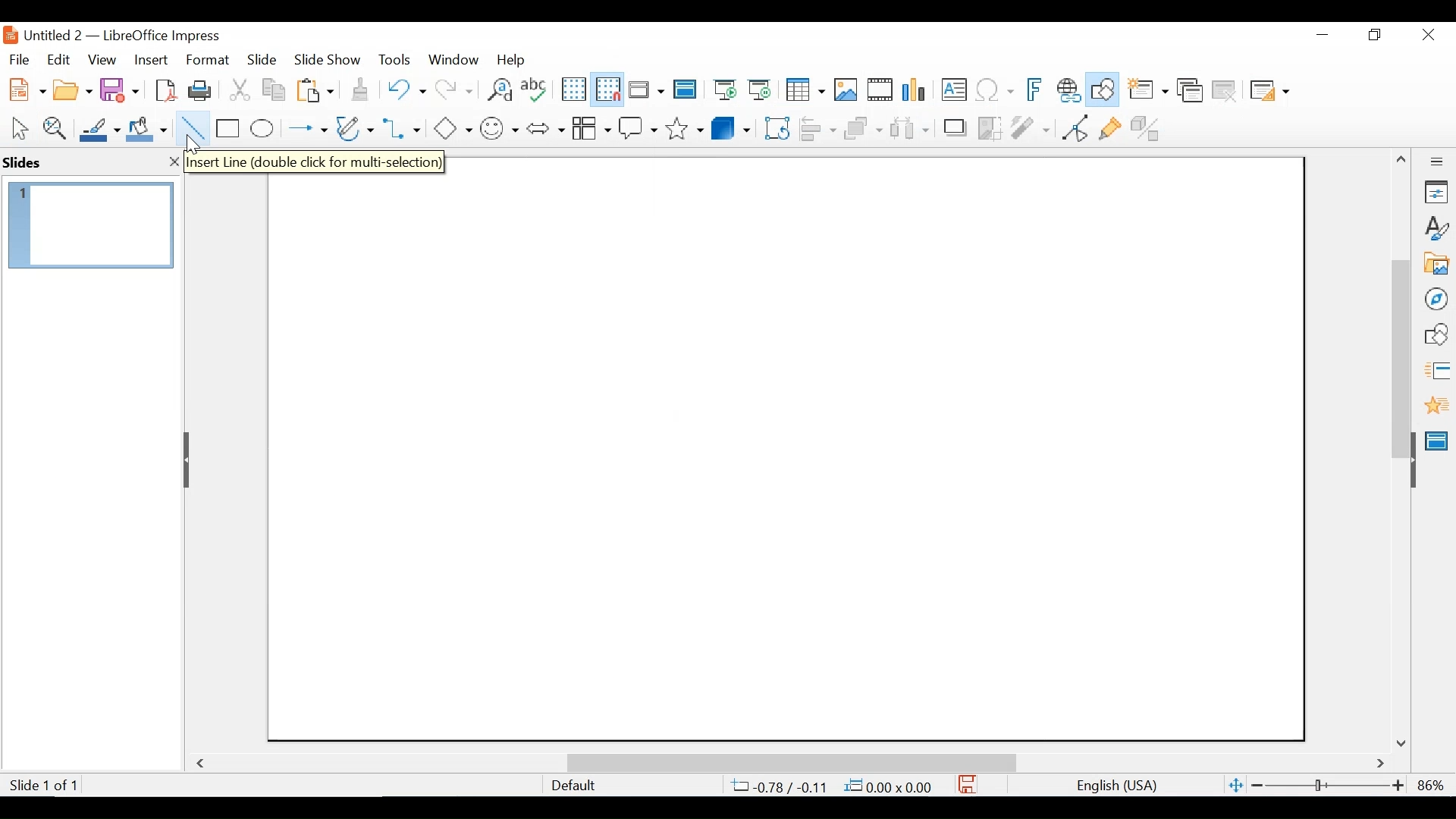 The width and height of the screenshot is (1456, 819). What do you see at coordinates (1147, 91) in the screenshot?
I see `New slide` at bounding box center [1147, 91].